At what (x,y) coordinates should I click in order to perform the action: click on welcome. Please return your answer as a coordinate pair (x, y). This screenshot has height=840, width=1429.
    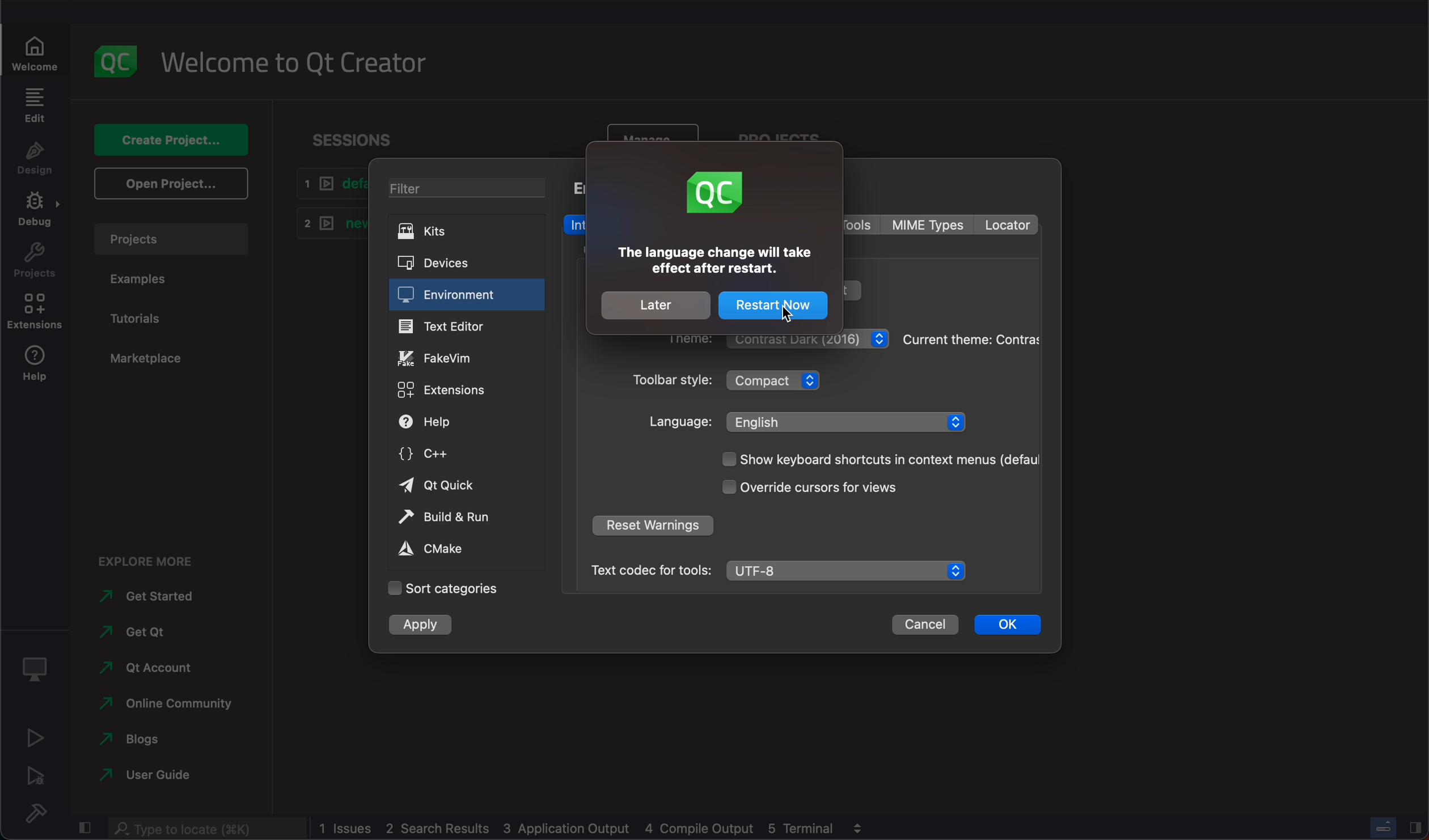
    Looking at the image, I should click on (297, 64).